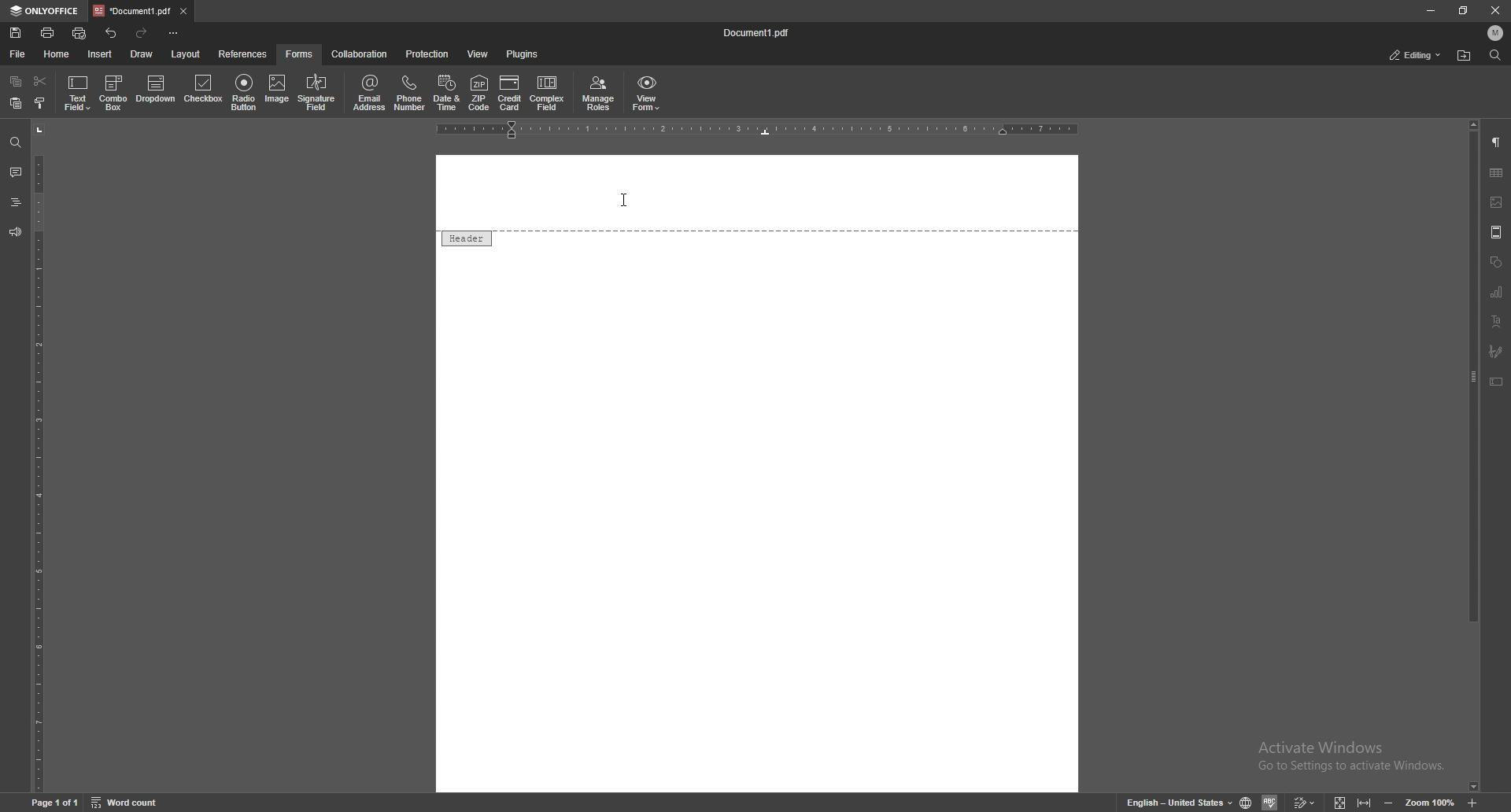  I want to click on cursor, so click(622, 201).